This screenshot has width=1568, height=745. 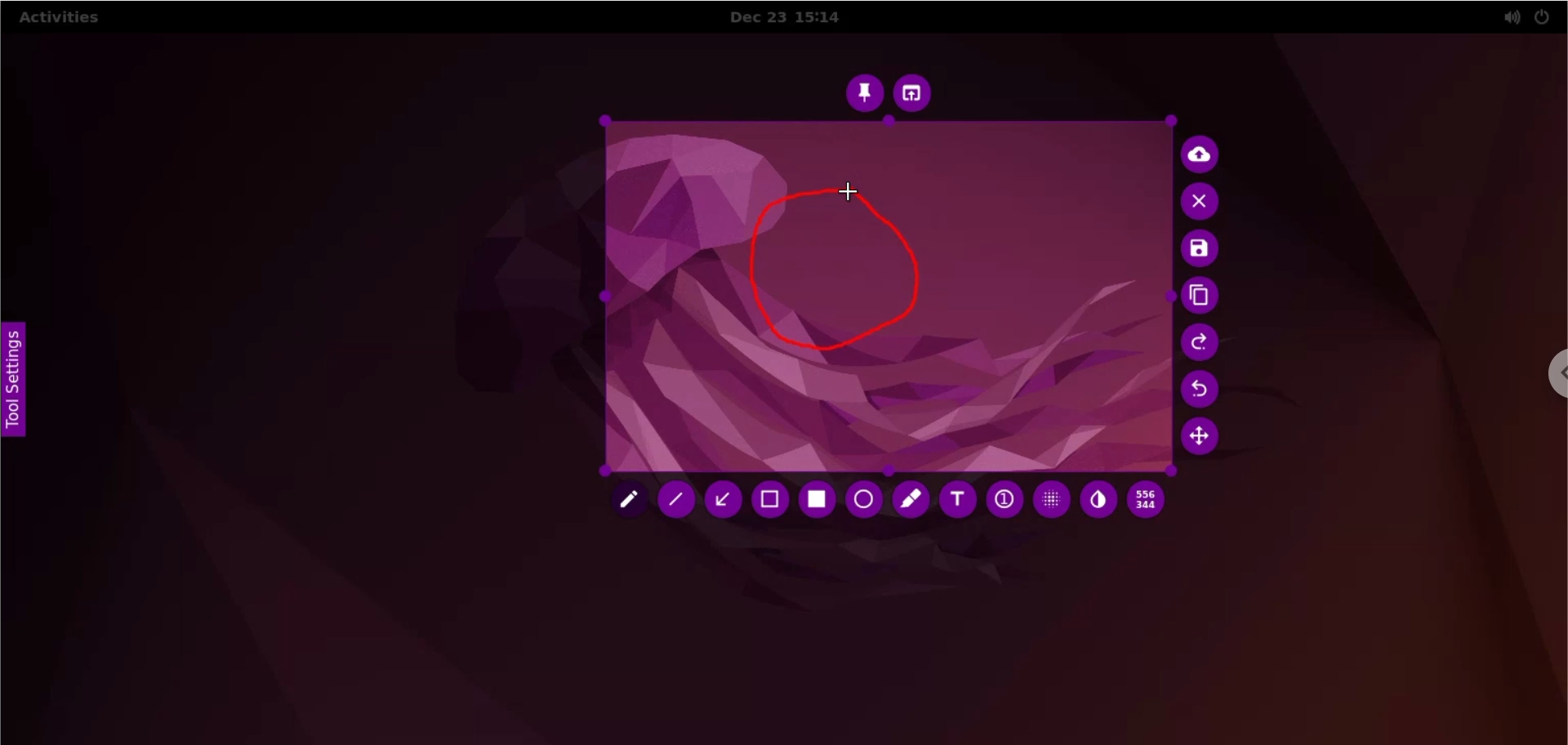 I want to click on copy to clipboard, so click(x=1207, y=297).